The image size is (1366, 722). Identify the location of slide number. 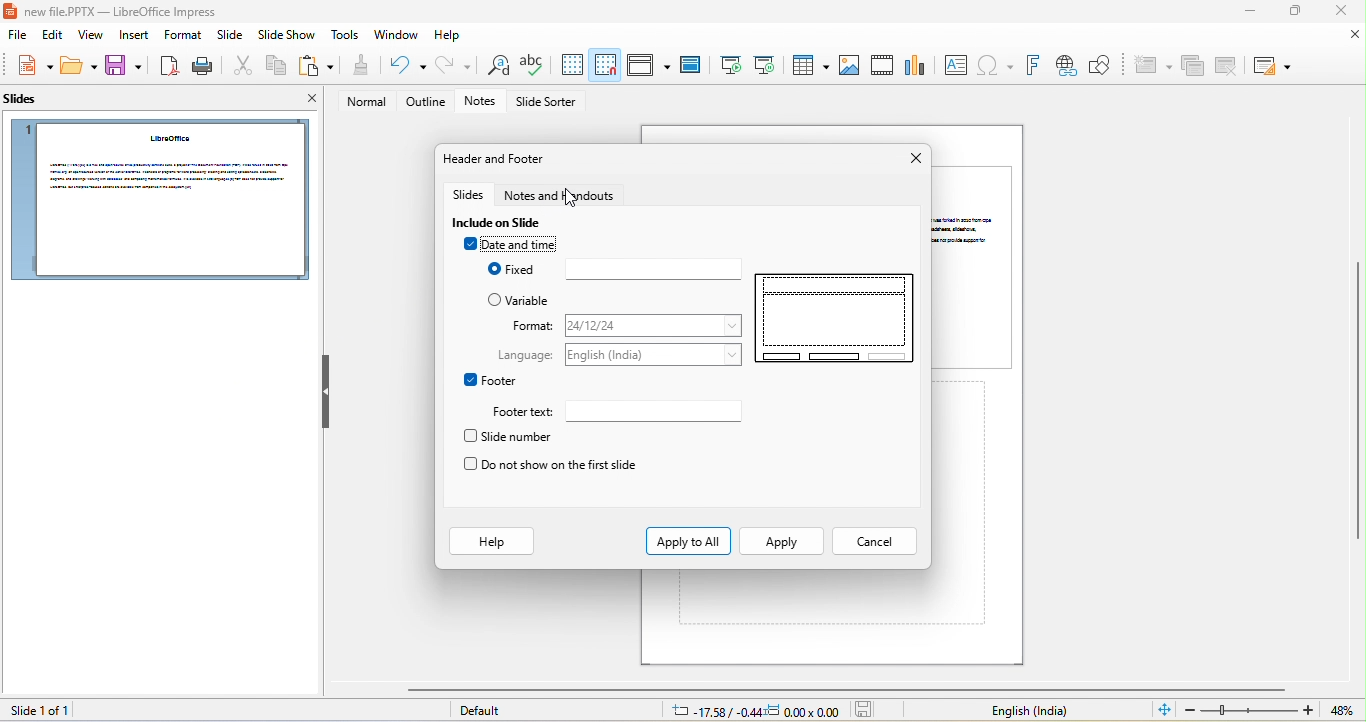
(513, 436).